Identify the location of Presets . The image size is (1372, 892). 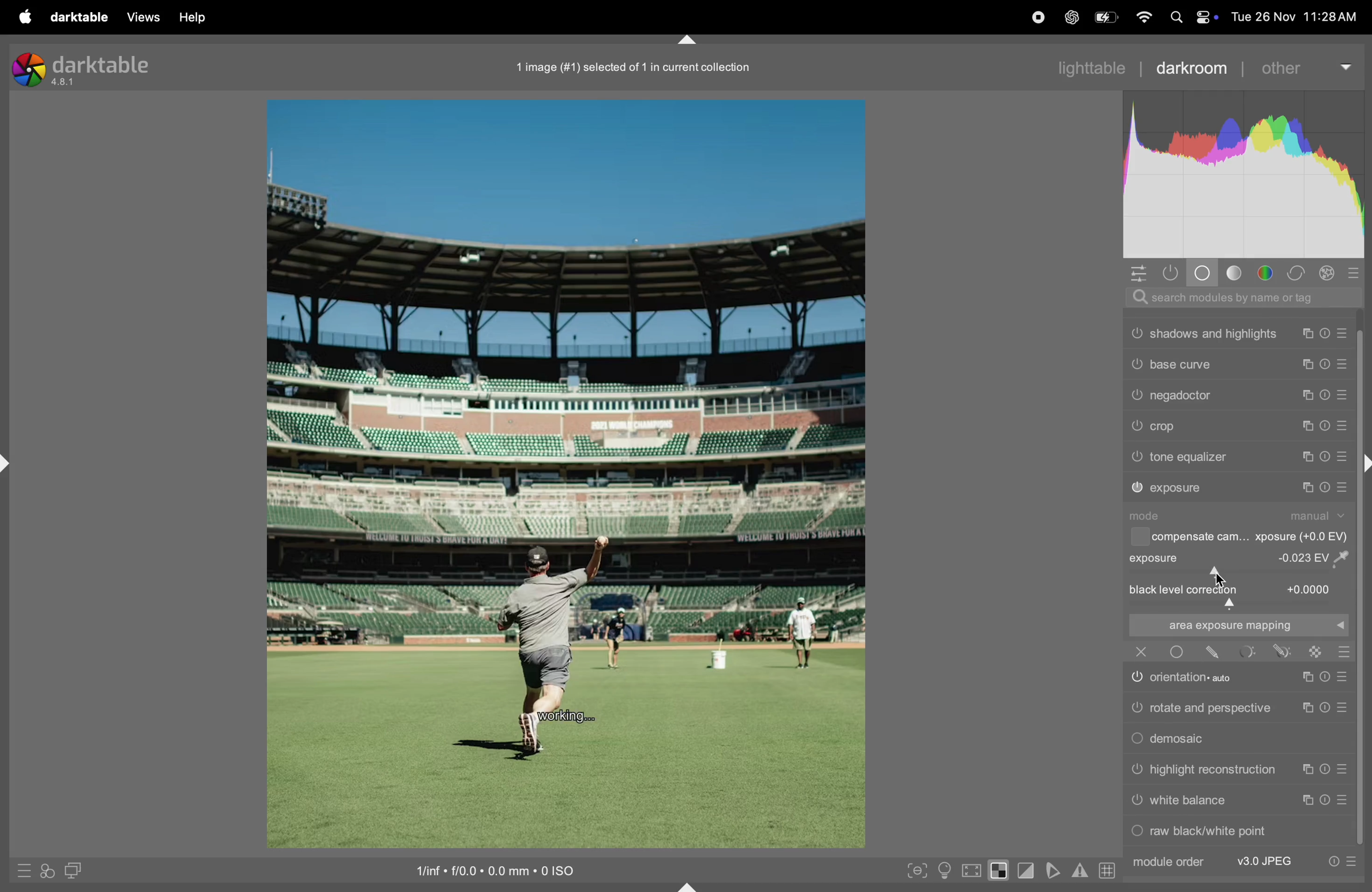
(1342, 458).